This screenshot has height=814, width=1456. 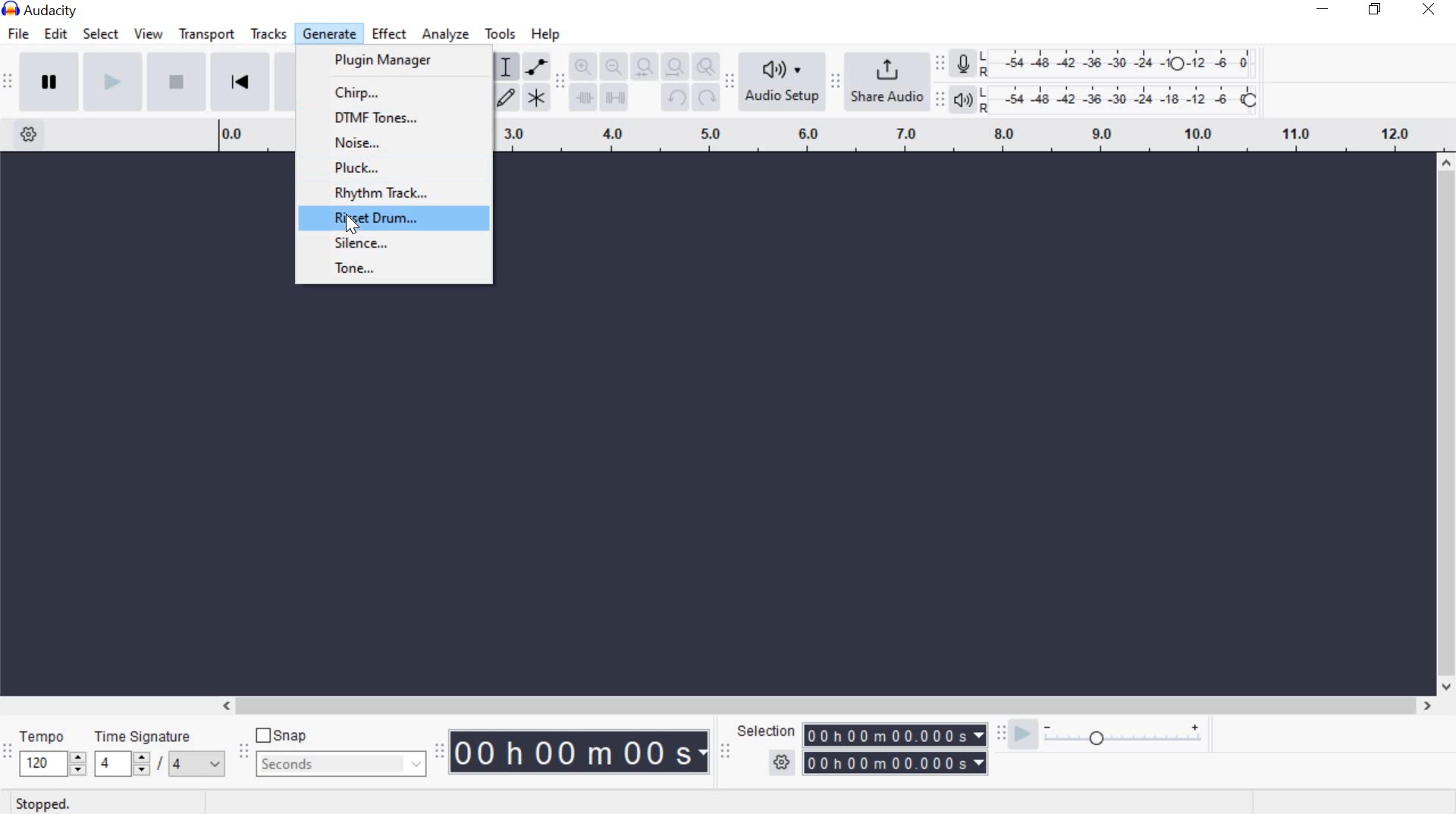 I want to click on analyze, so click(x=447, y=36).